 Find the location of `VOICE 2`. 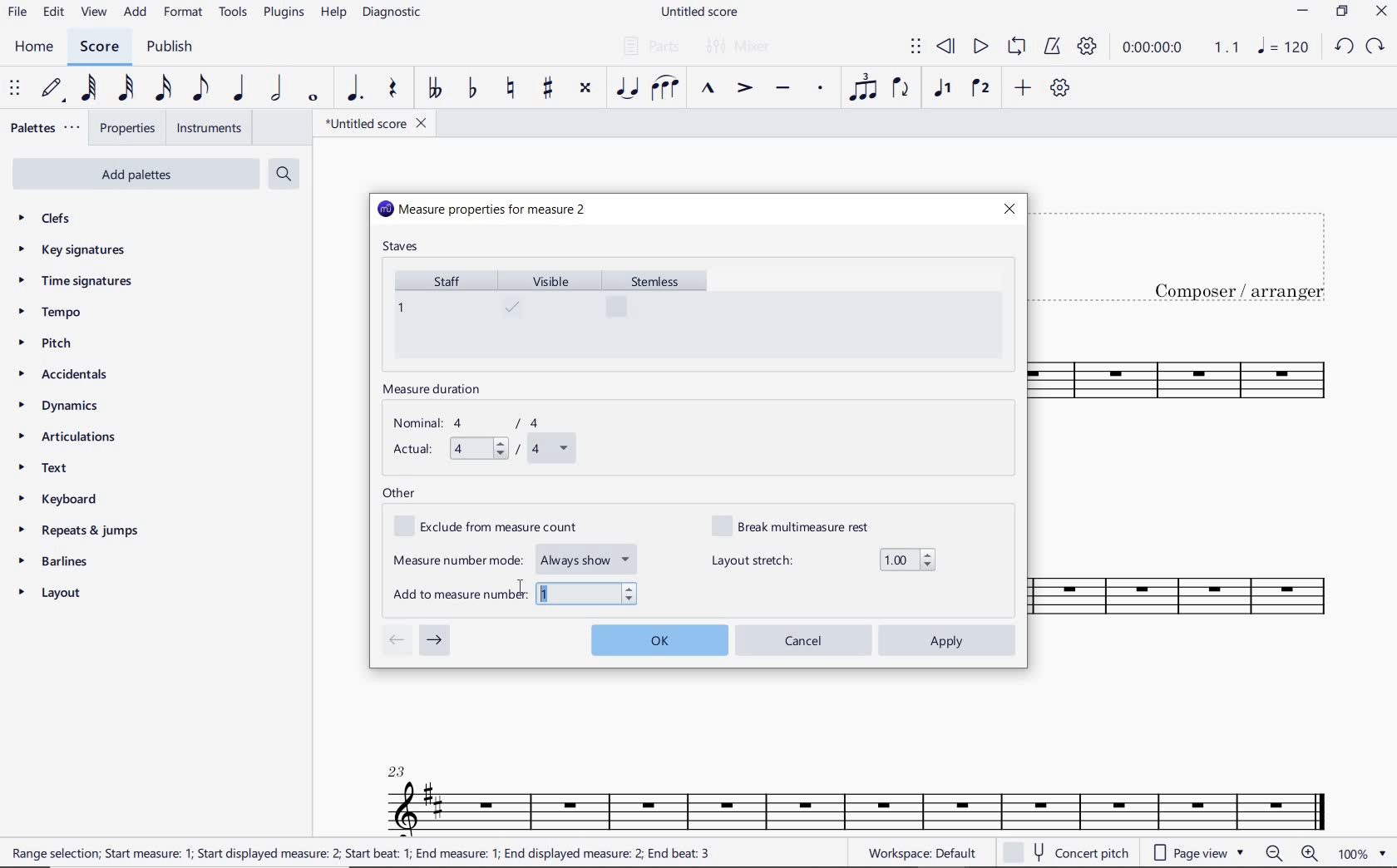

VOICE 2 is located at coordinates (981, 89).